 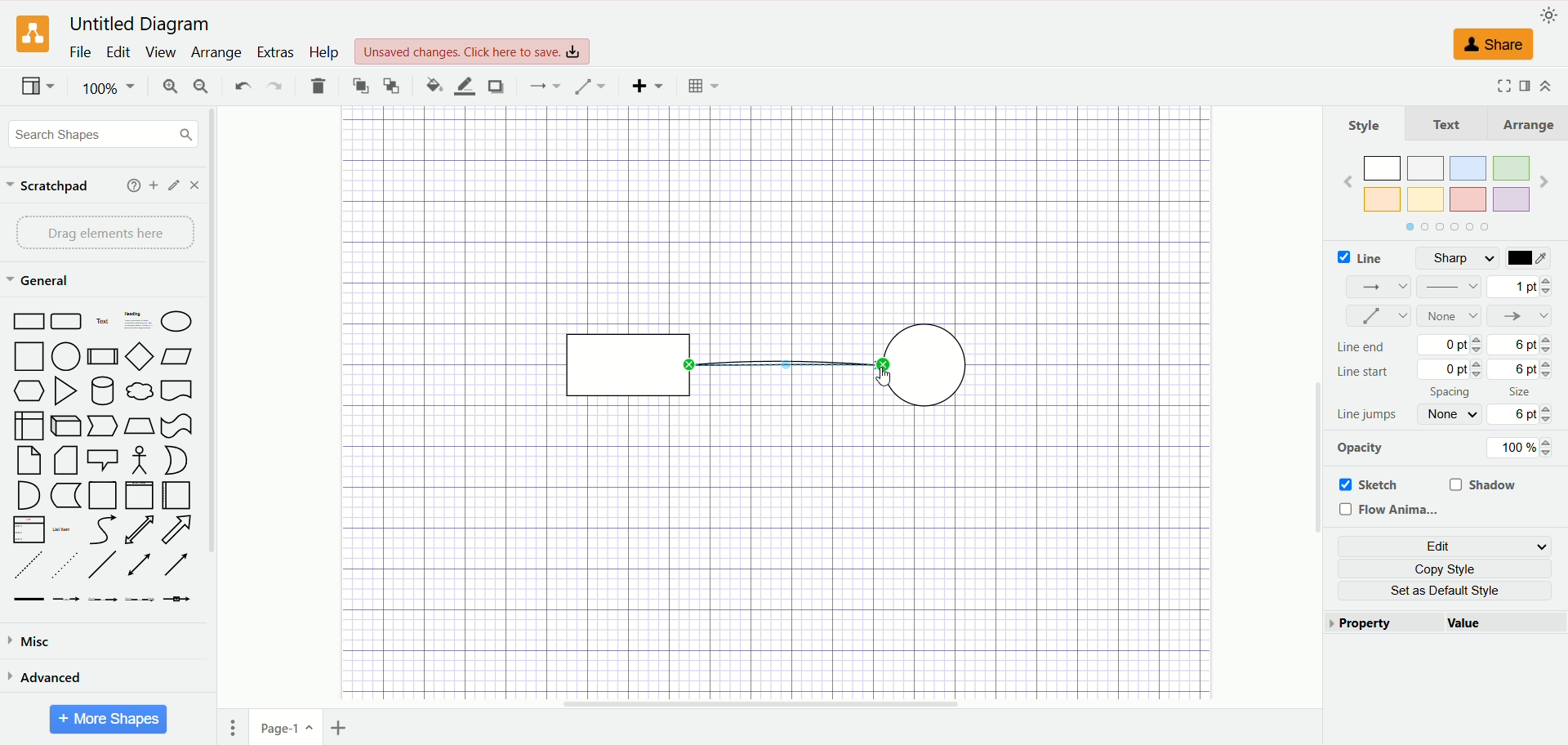 I want to click on value, so click(x=1506, y=622).